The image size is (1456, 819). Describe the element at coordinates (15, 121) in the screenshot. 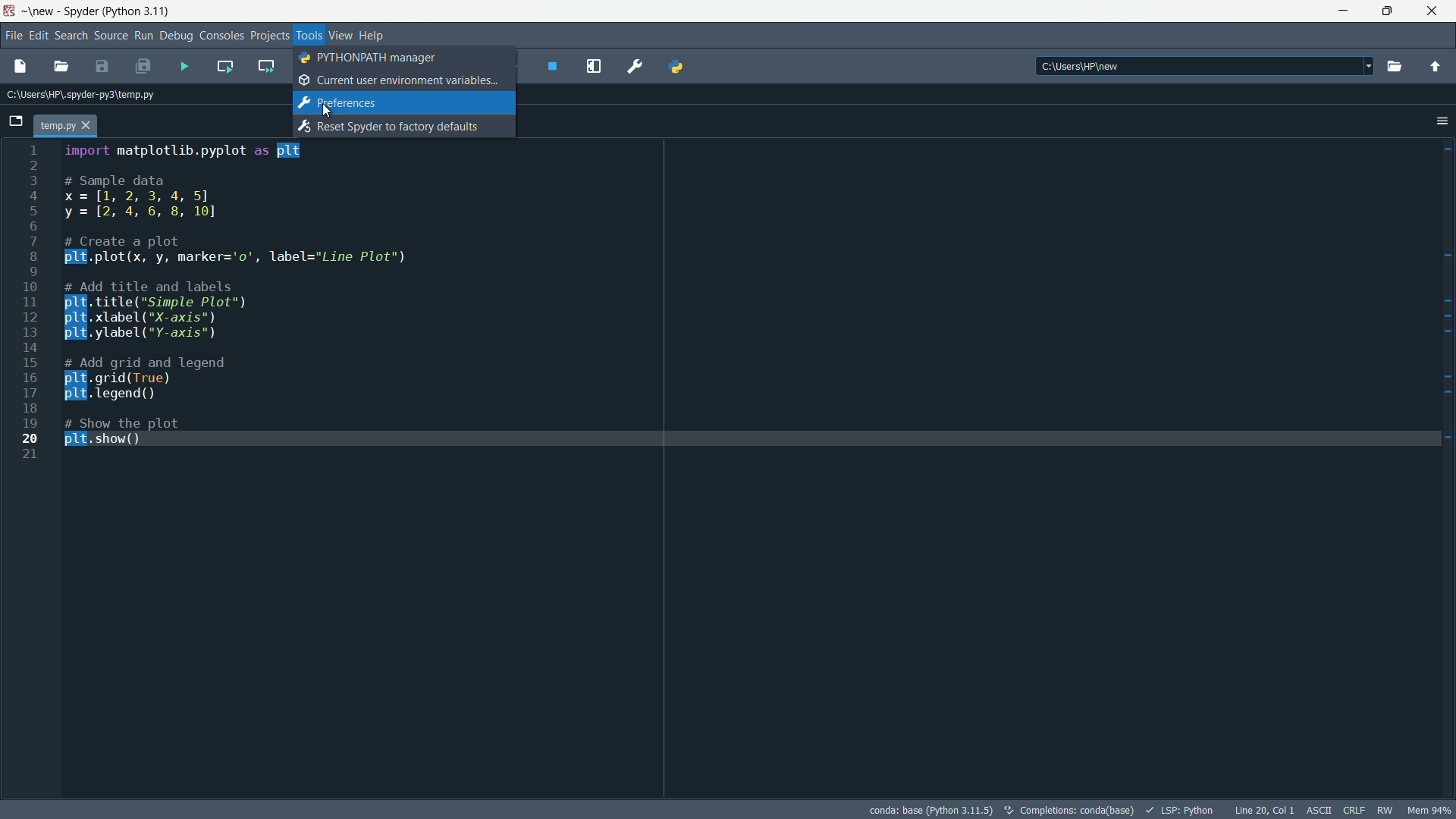

I see `browse tabs` at that location.